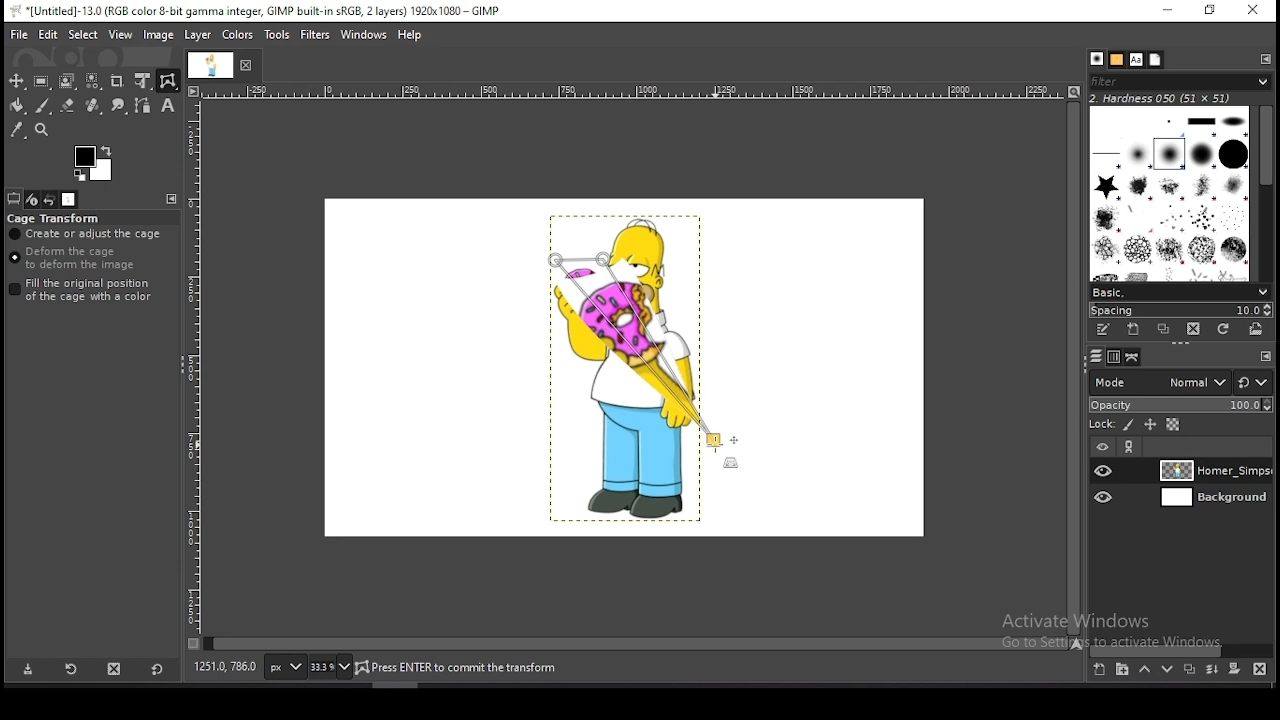  Describe the element at coordinates (1093, 356) in the screenshot. I see `layers` at that location.